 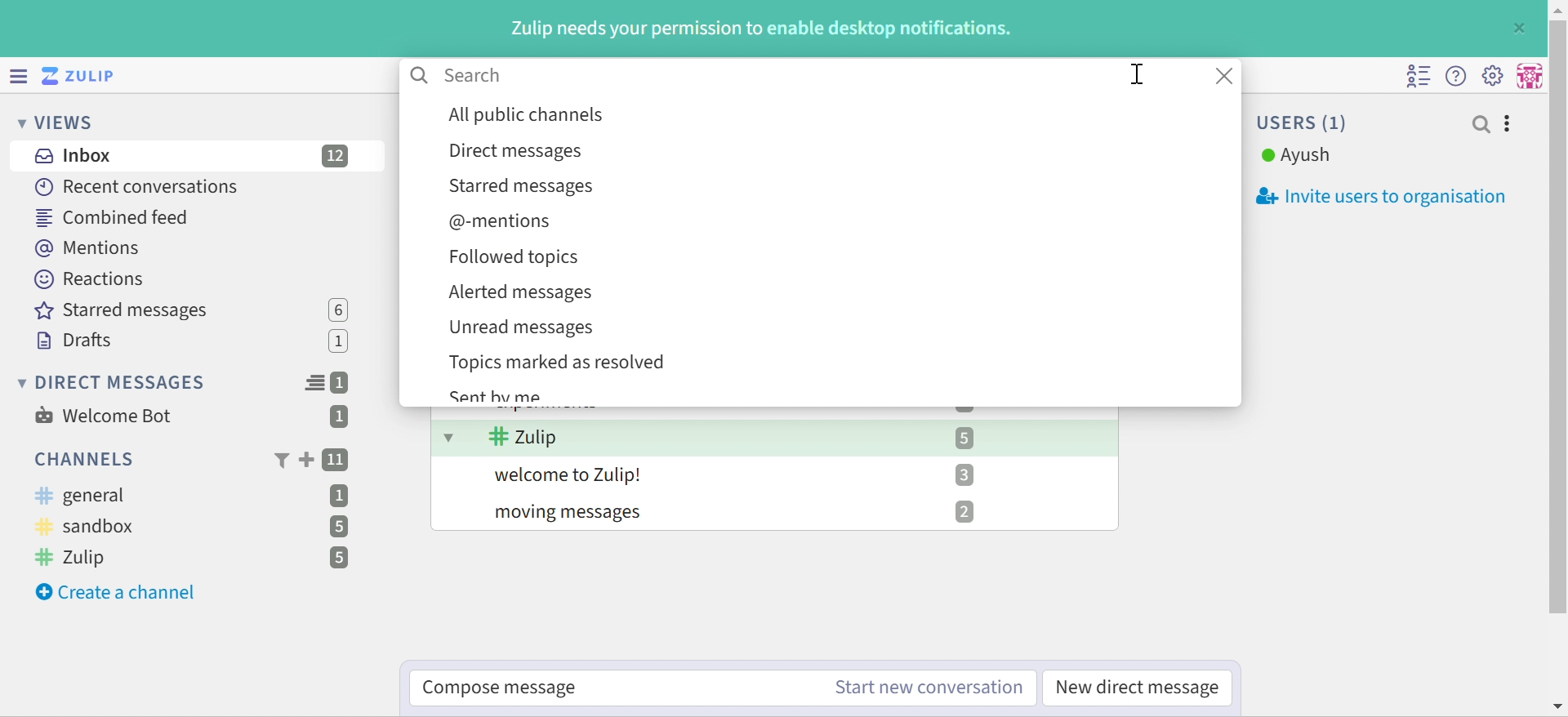 I want to click on Reactions, so click(x=94, y=279).